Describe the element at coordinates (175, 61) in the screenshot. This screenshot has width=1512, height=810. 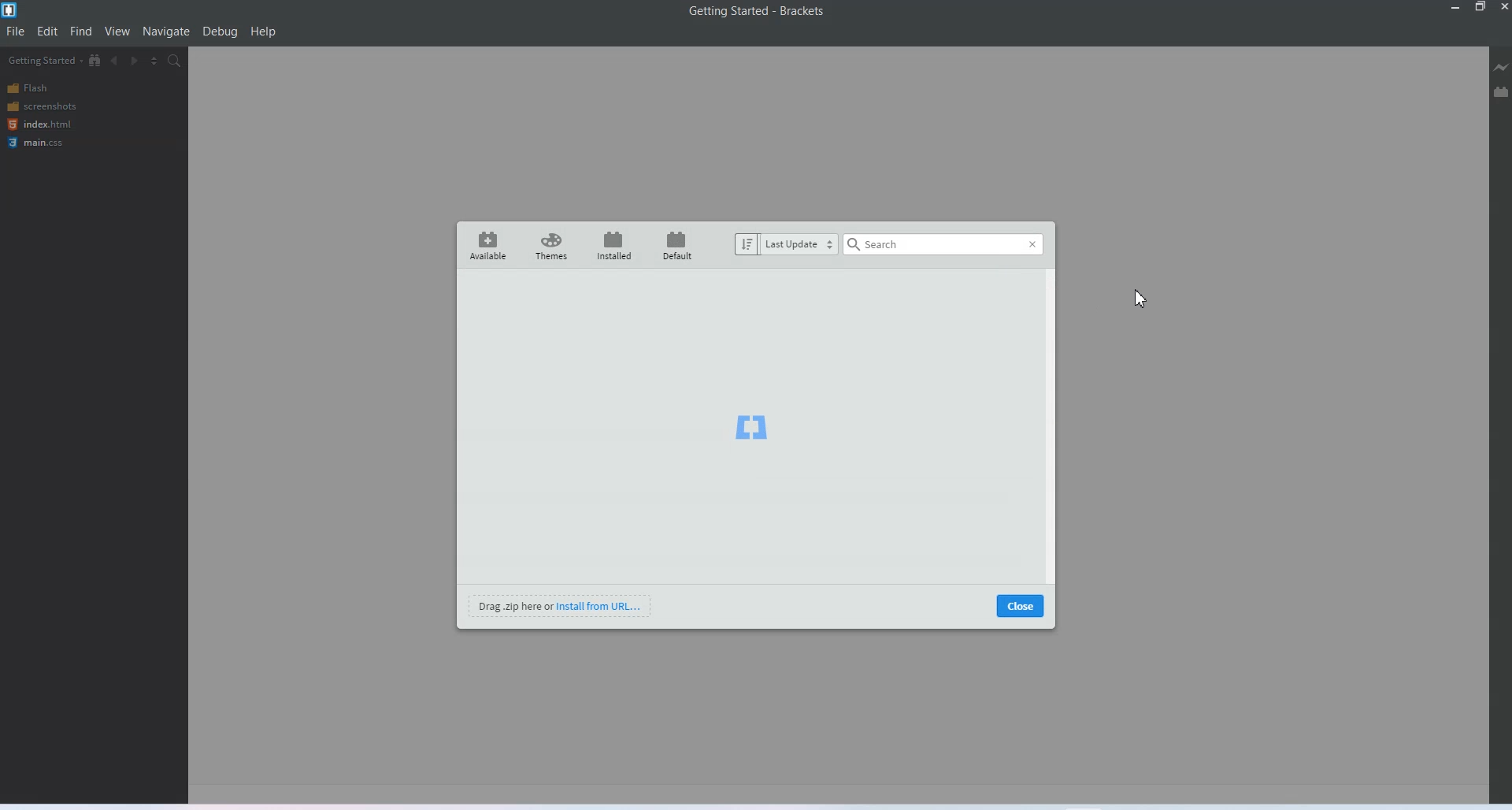
I see `Find in files` at that location.